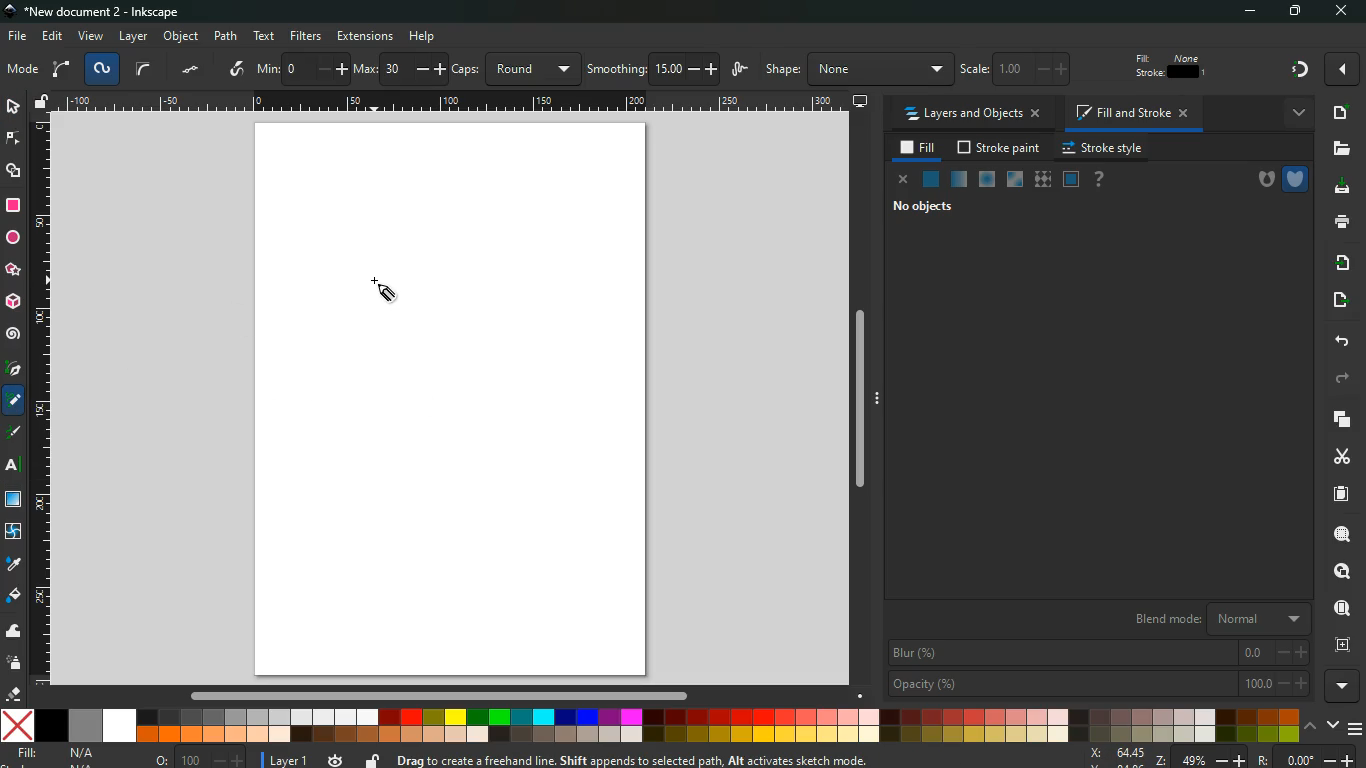  What do you see at coordinates (302, 69) in the screenshot?
I see `min` at bounding box center [302, 69].